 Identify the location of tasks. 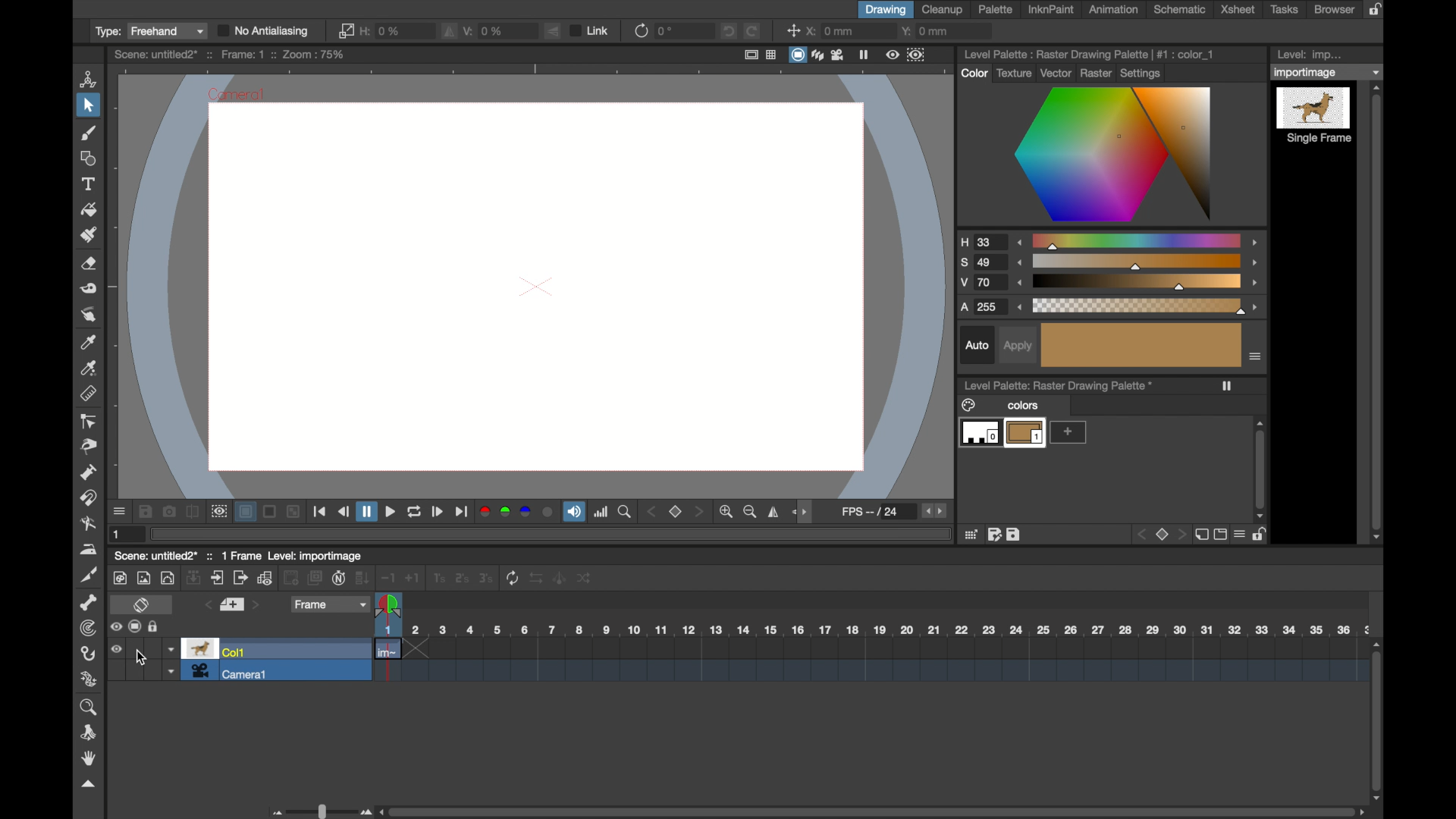
(1285, 9).